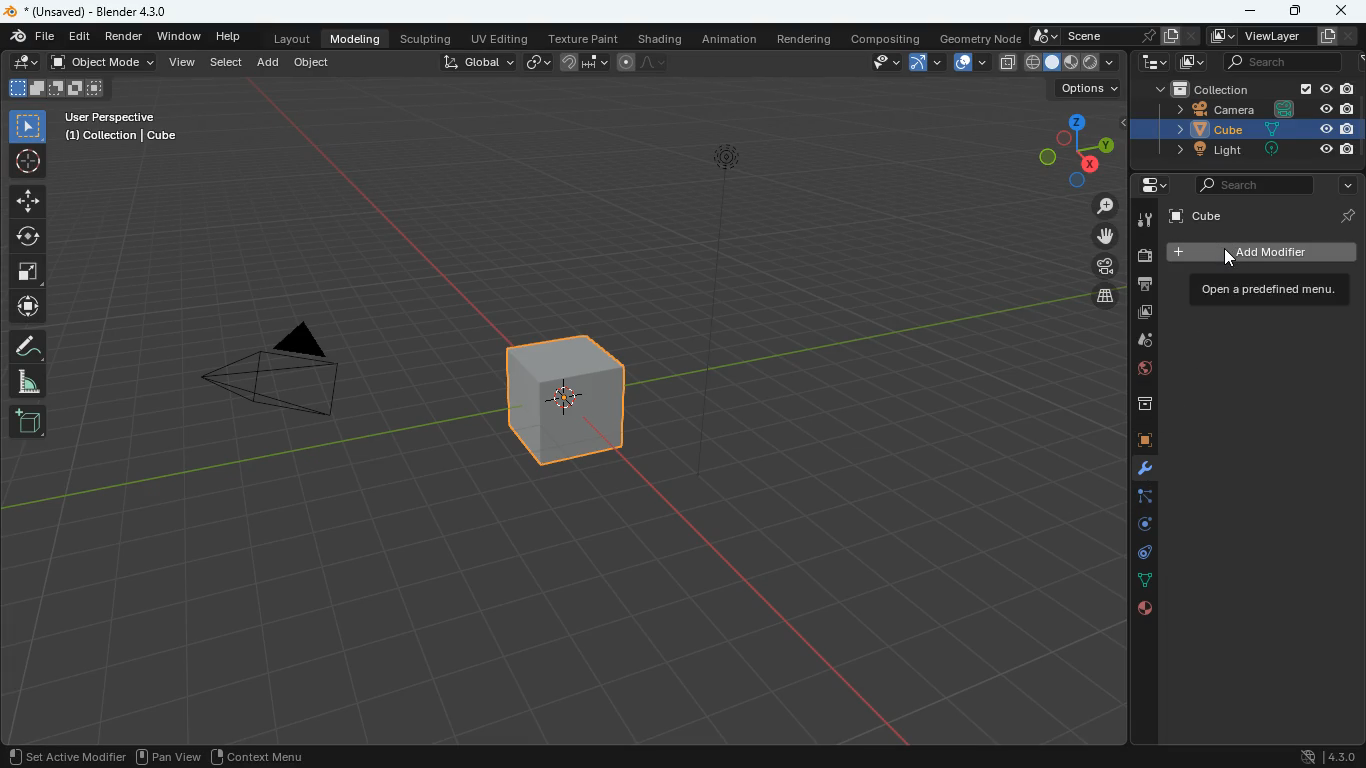 This screenshot has height=768, width=1366. Describe the element at coordinates (730, 42) in the screenshot. I see `animation` at that location.